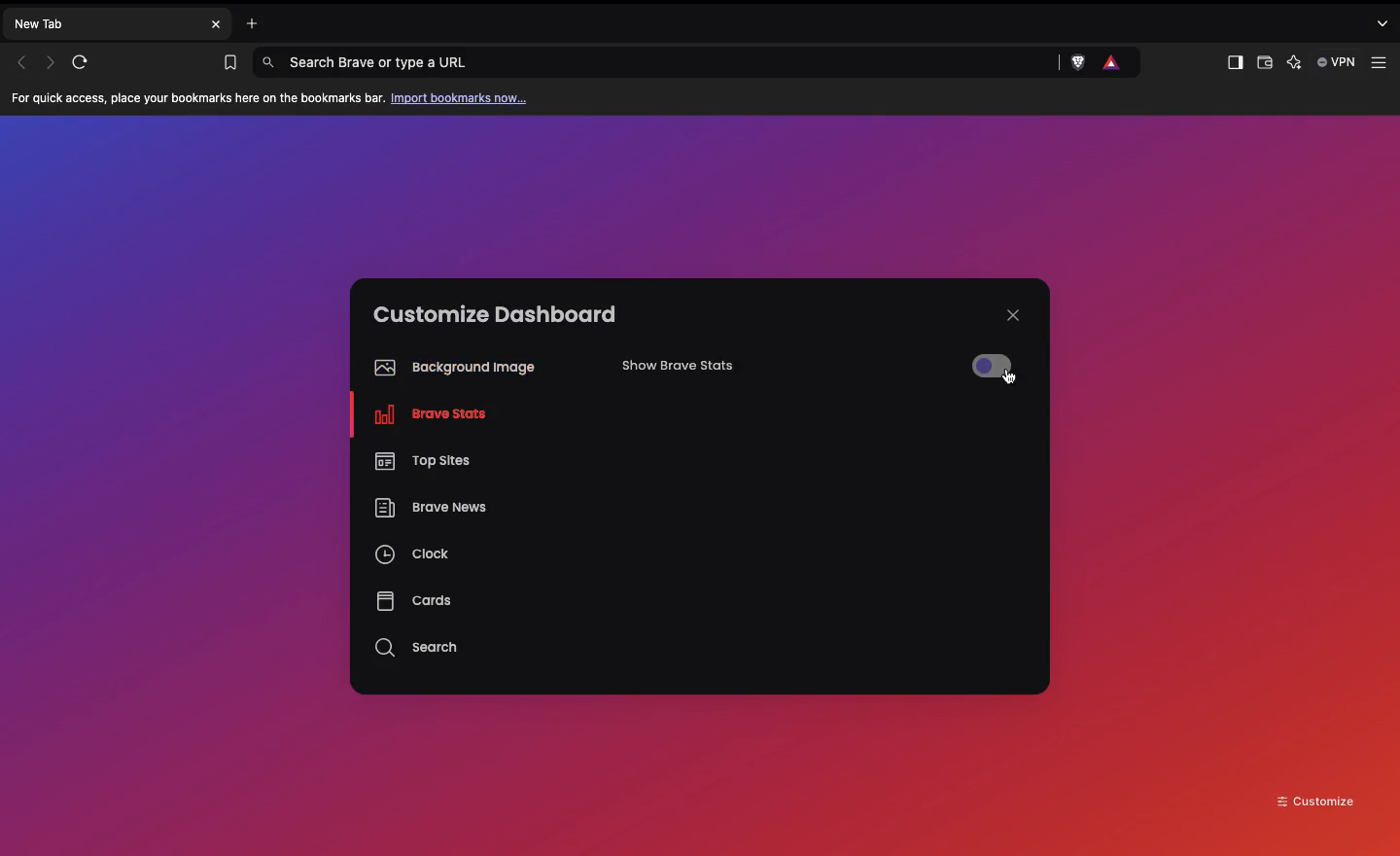 The width and height of the screenshot is (1400, 856). Describe the element at coordinates (1385, 22) in the screenshot. I see `Search tabs` at that location.